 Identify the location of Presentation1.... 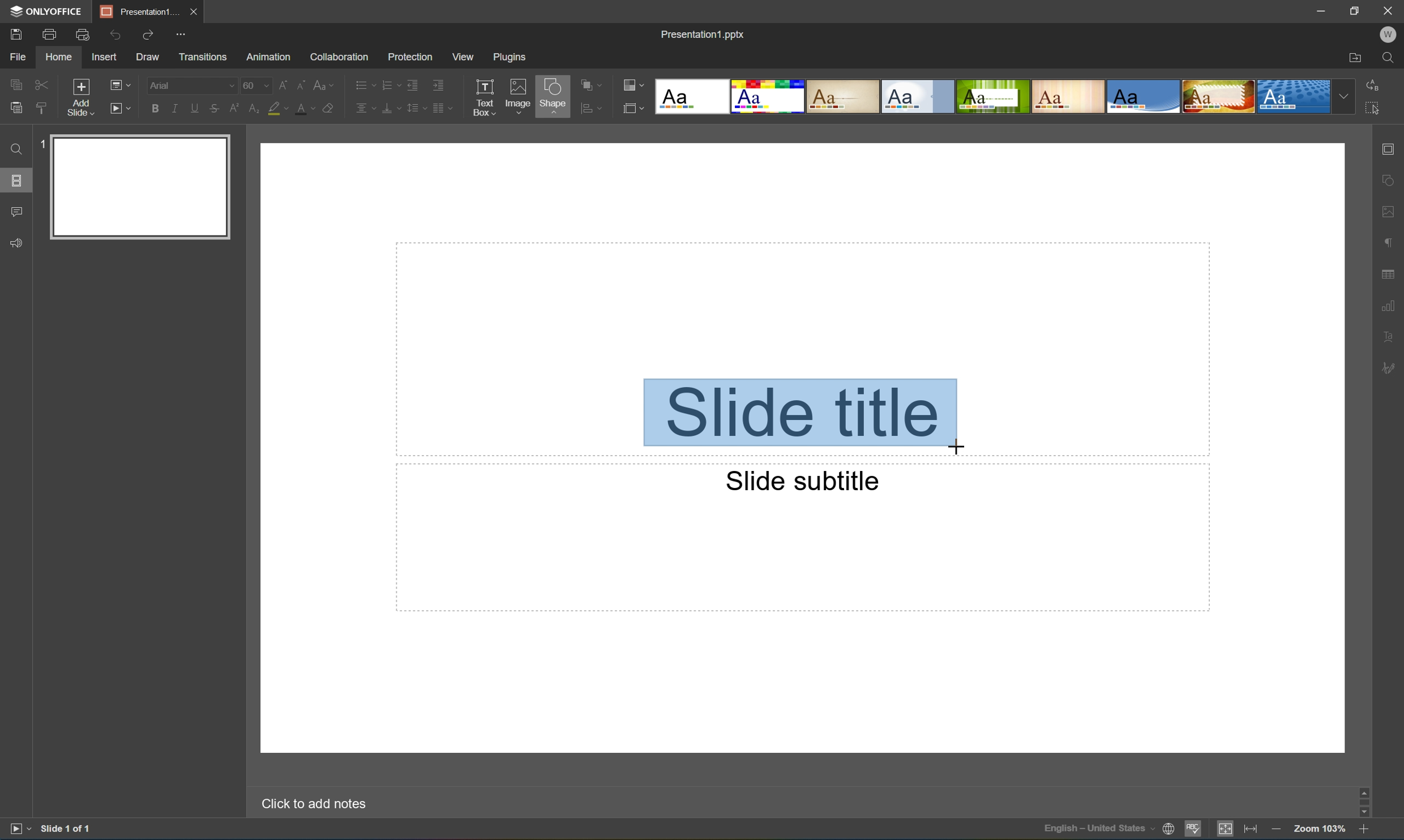
(136, 11).